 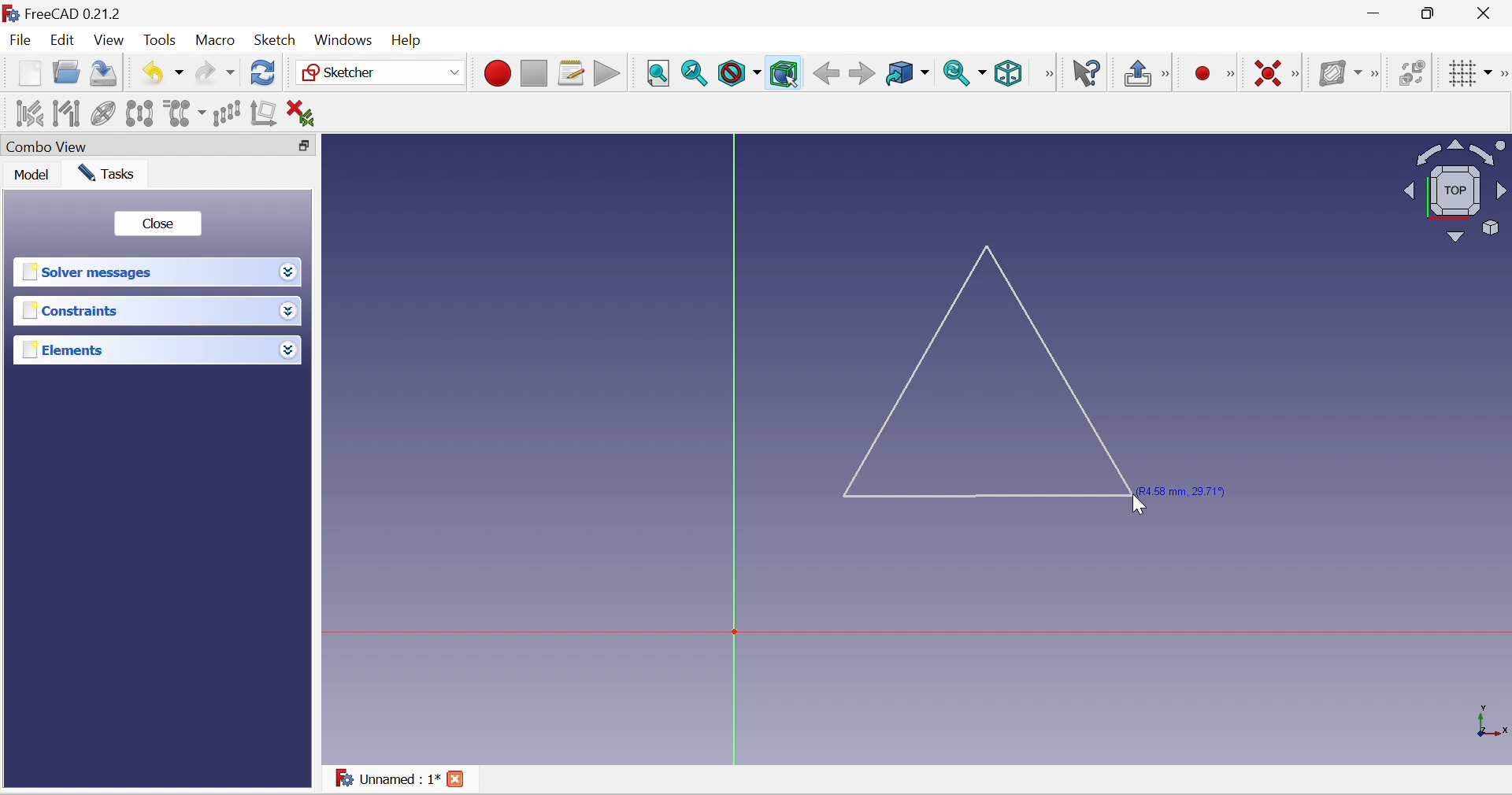 What do you see at coordinates (28, 175) in the screenshot?
I see `Model` at bounding box center [28, 175].